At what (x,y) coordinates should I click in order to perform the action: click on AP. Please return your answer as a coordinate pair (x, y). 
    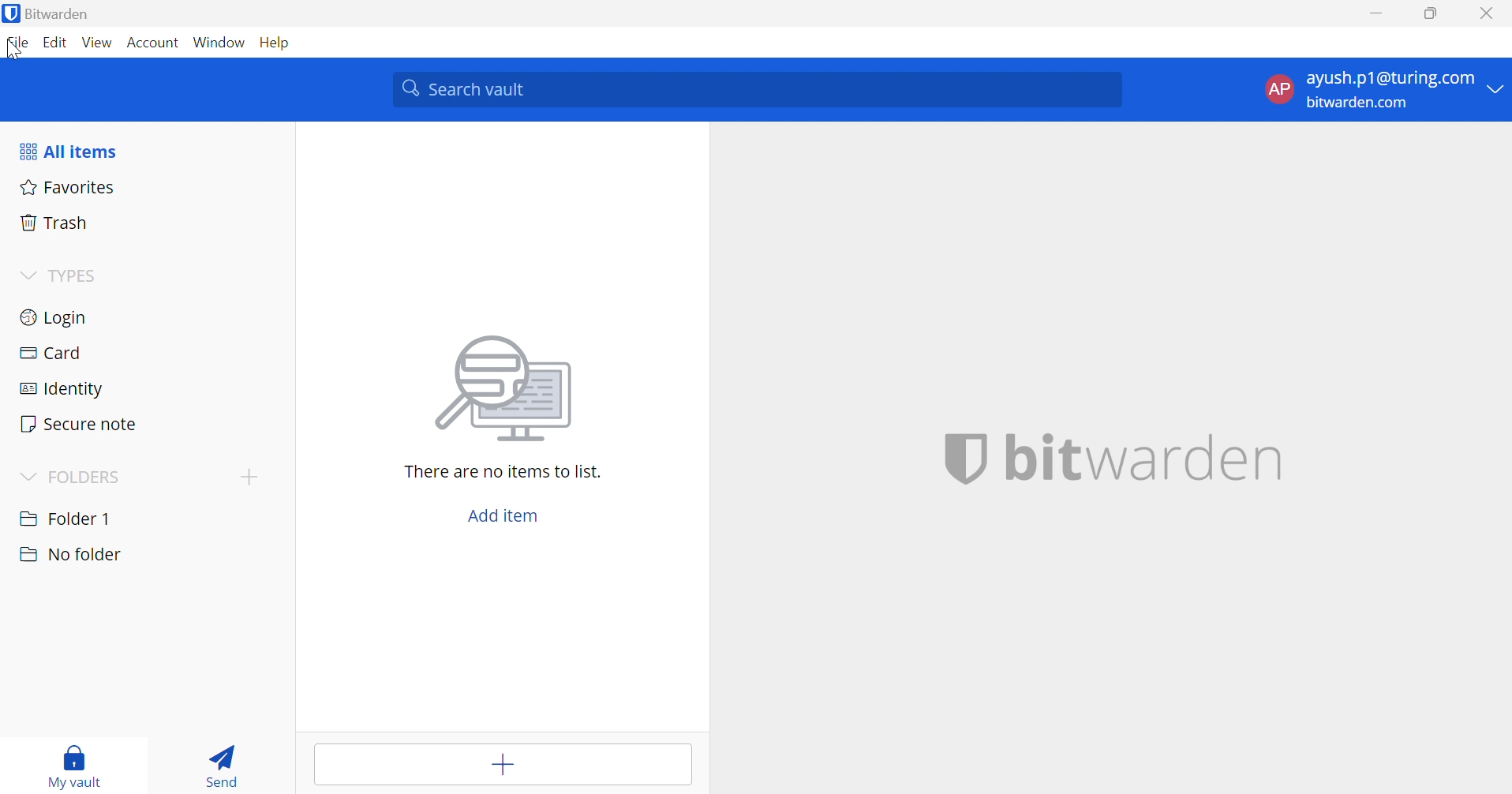
    Looking at the image, I should click on (1278, 88).